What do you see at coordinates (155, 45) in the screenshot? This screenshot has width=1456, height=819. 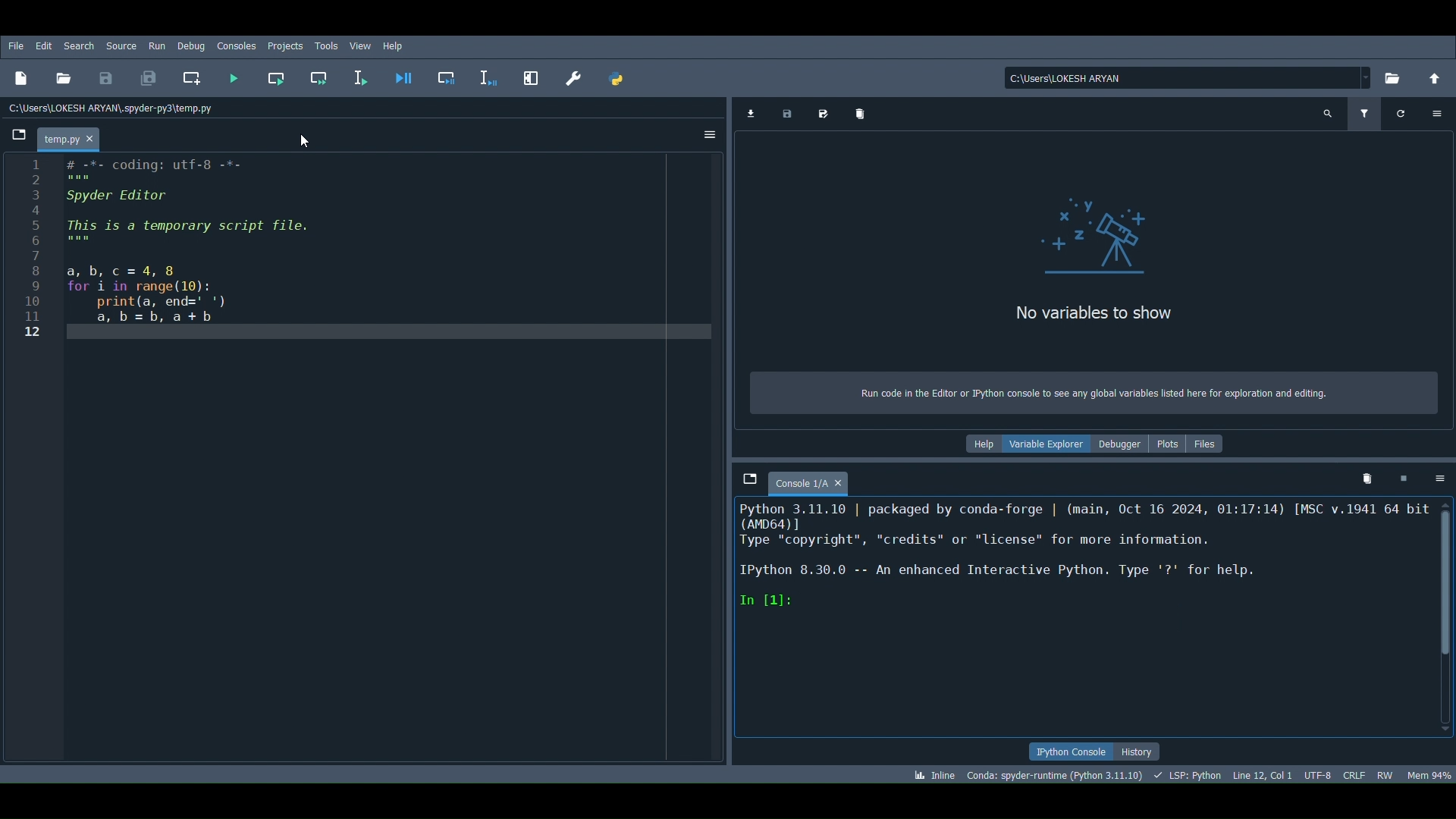 I see `Run` at bounding box center [155, 45].